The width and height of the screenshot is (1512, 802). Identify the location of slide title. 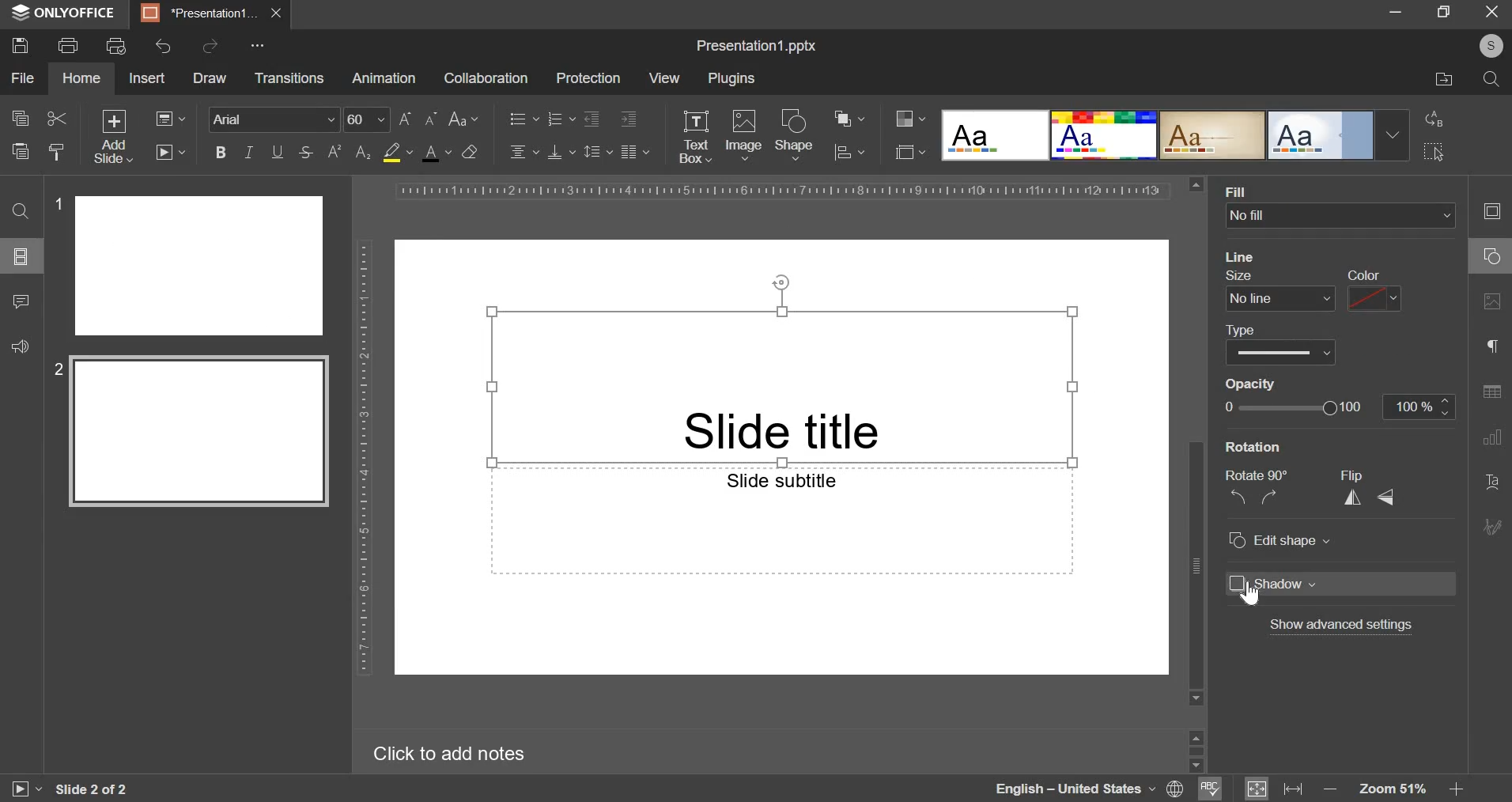
(781, 385).